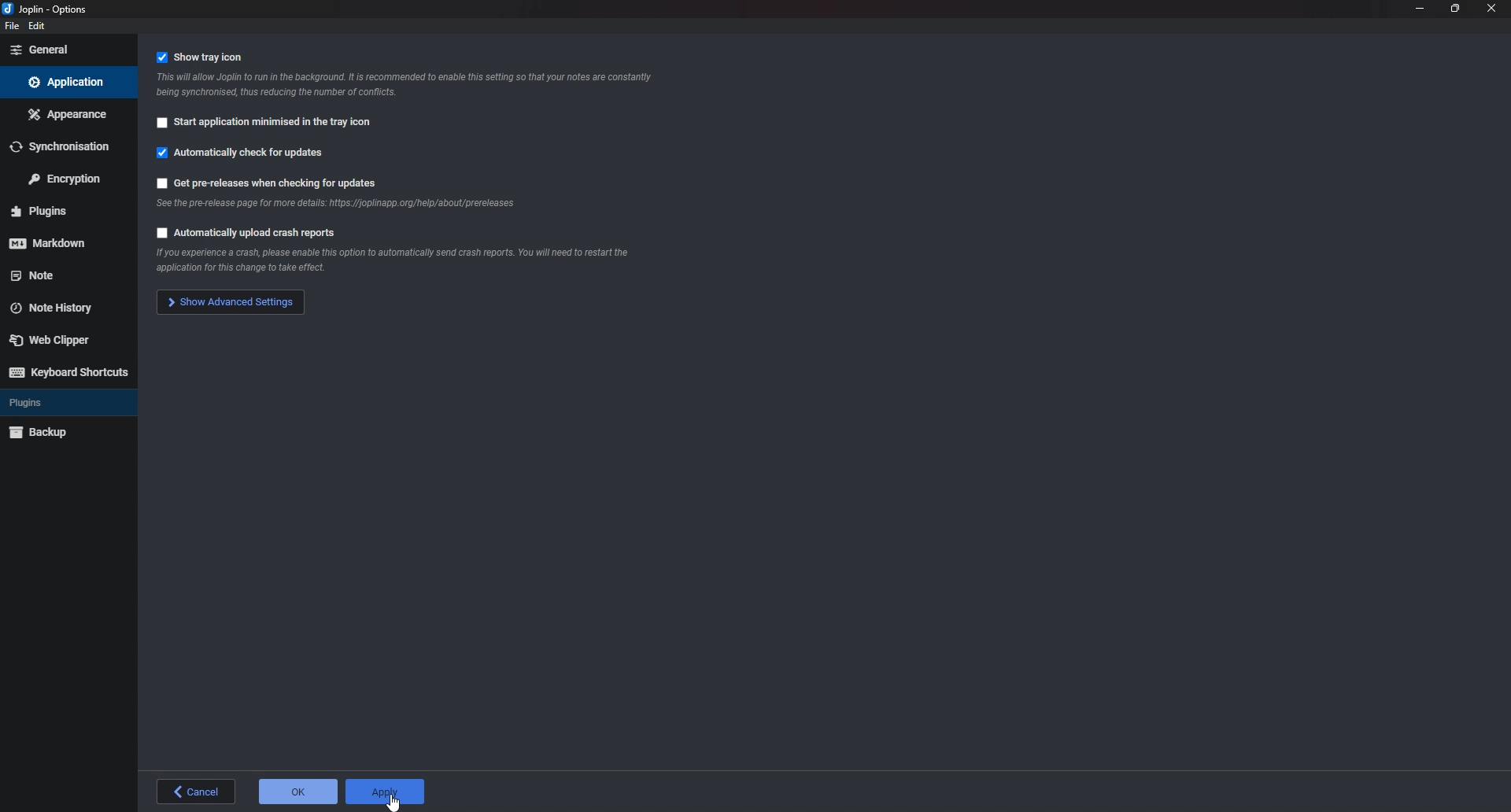 This screenshot has width=1511, height=812. What do you see at coordinates (68, 82) in the screenshot?
I see `Application` at bounding box center [68, 82].